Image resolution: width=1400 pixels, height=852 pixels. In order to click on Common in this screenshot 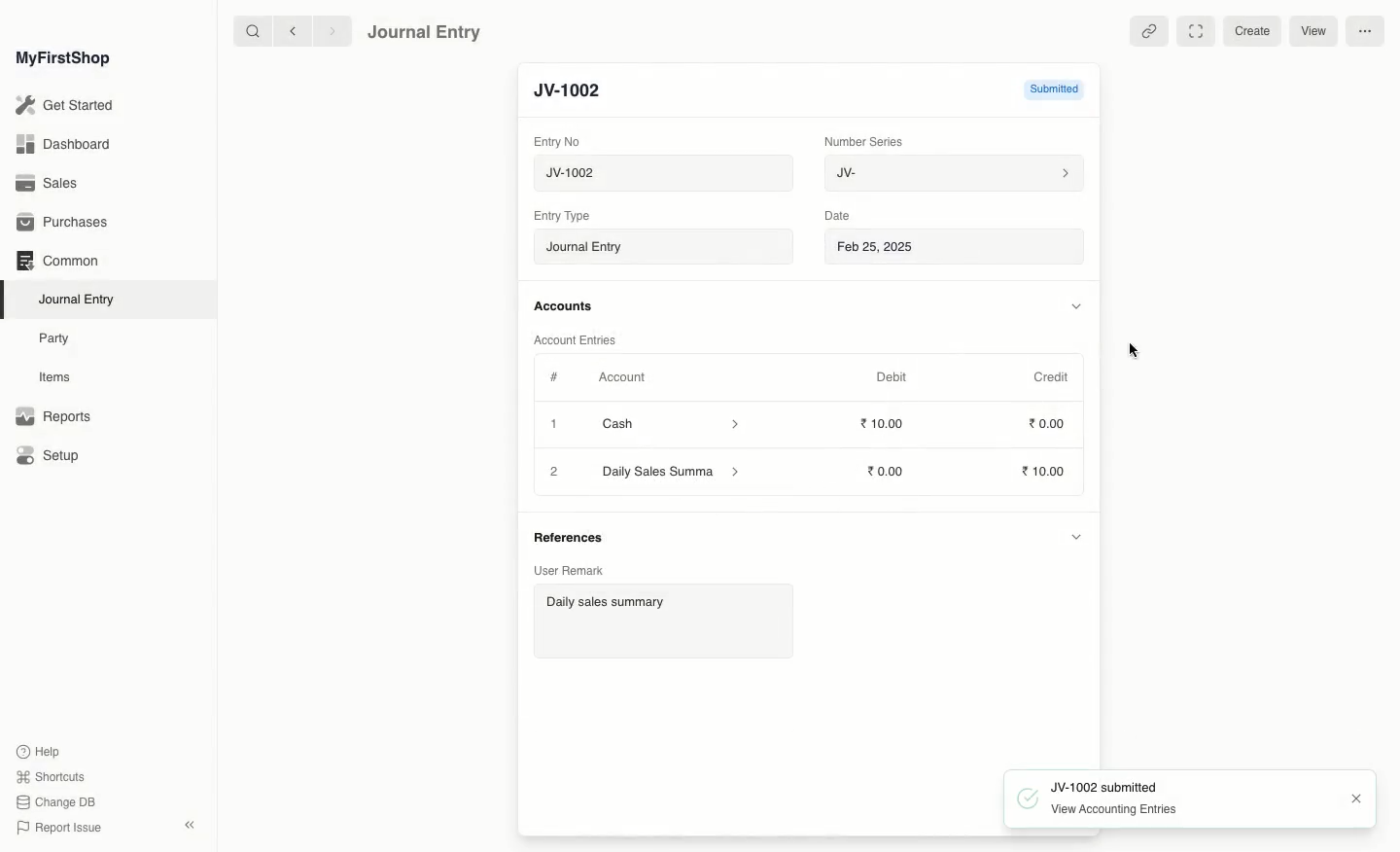, I will do `click(56, 261)`.